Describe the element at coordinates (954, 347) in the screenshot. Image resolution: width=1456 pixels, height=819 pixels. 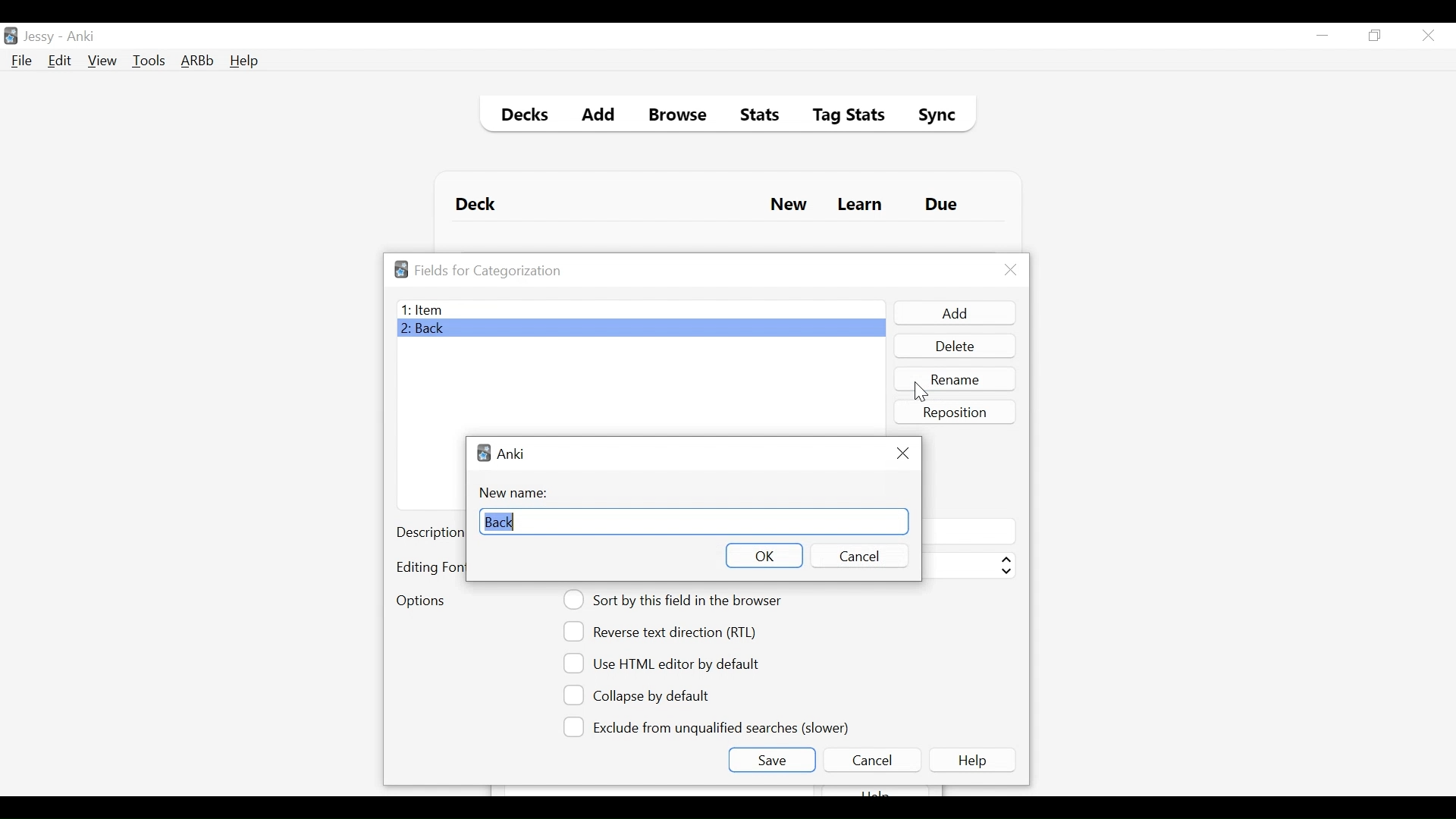
I see `Delete` at that location.